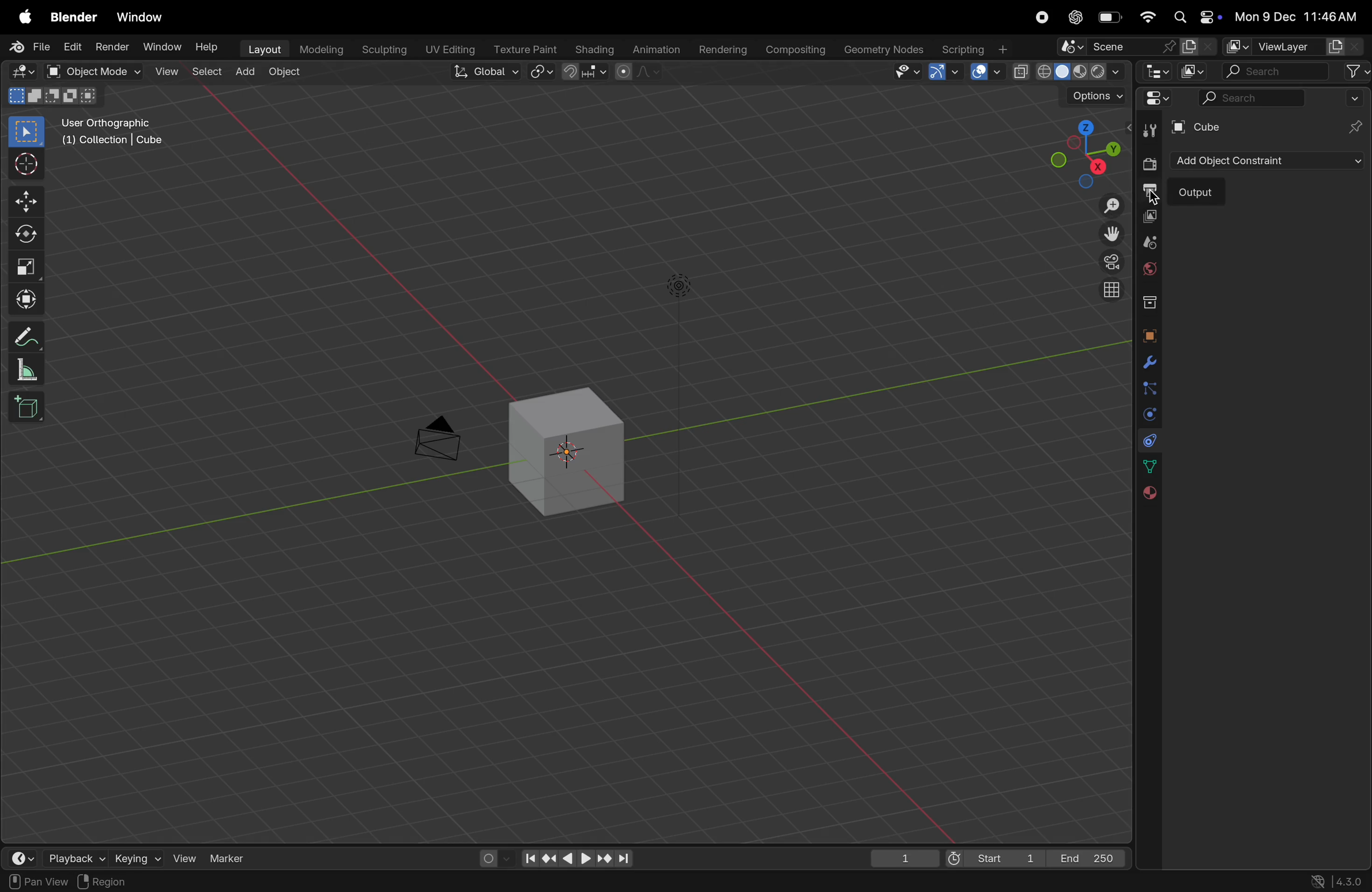 The image size is (1372, 892). I want to click on search, so click(1276, 71).